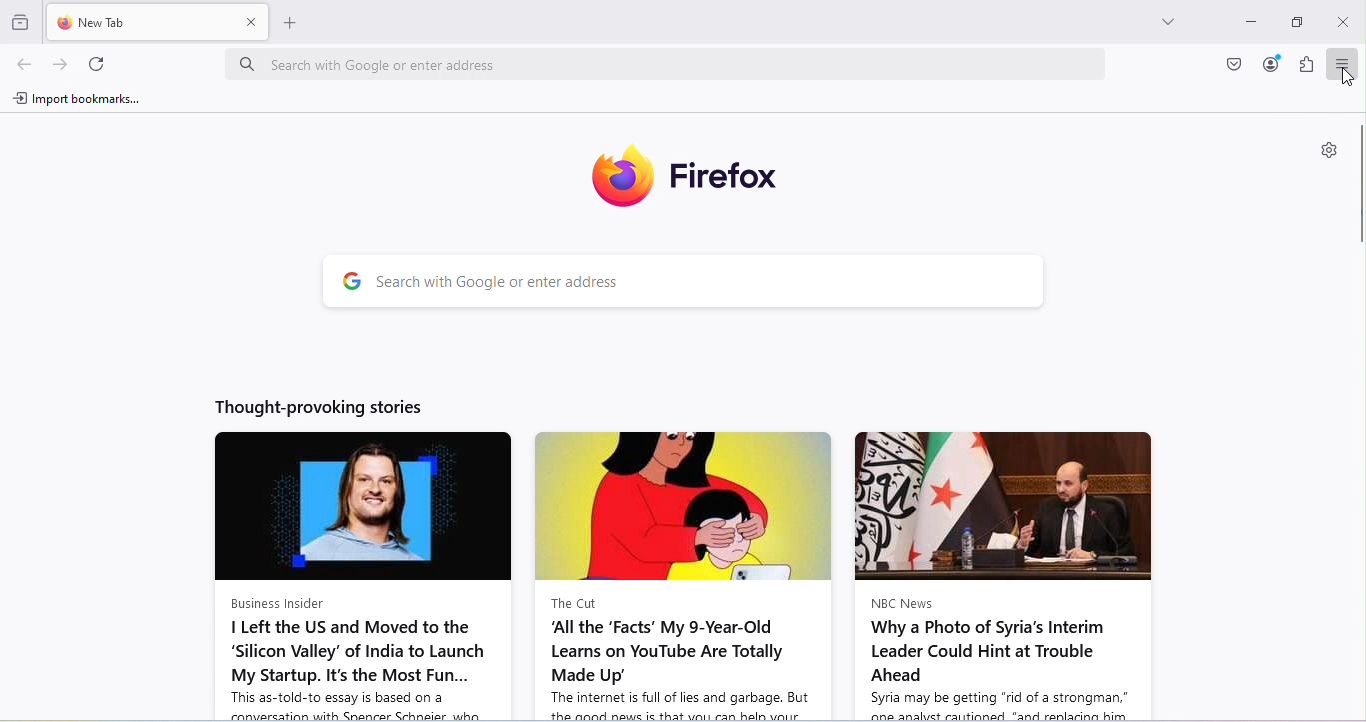 The width and height of the screenshot is (1366, 722). What do you see at coordinates (346, 282) in the screenshot?
I see `google logo` at bounding box center [346, 282].